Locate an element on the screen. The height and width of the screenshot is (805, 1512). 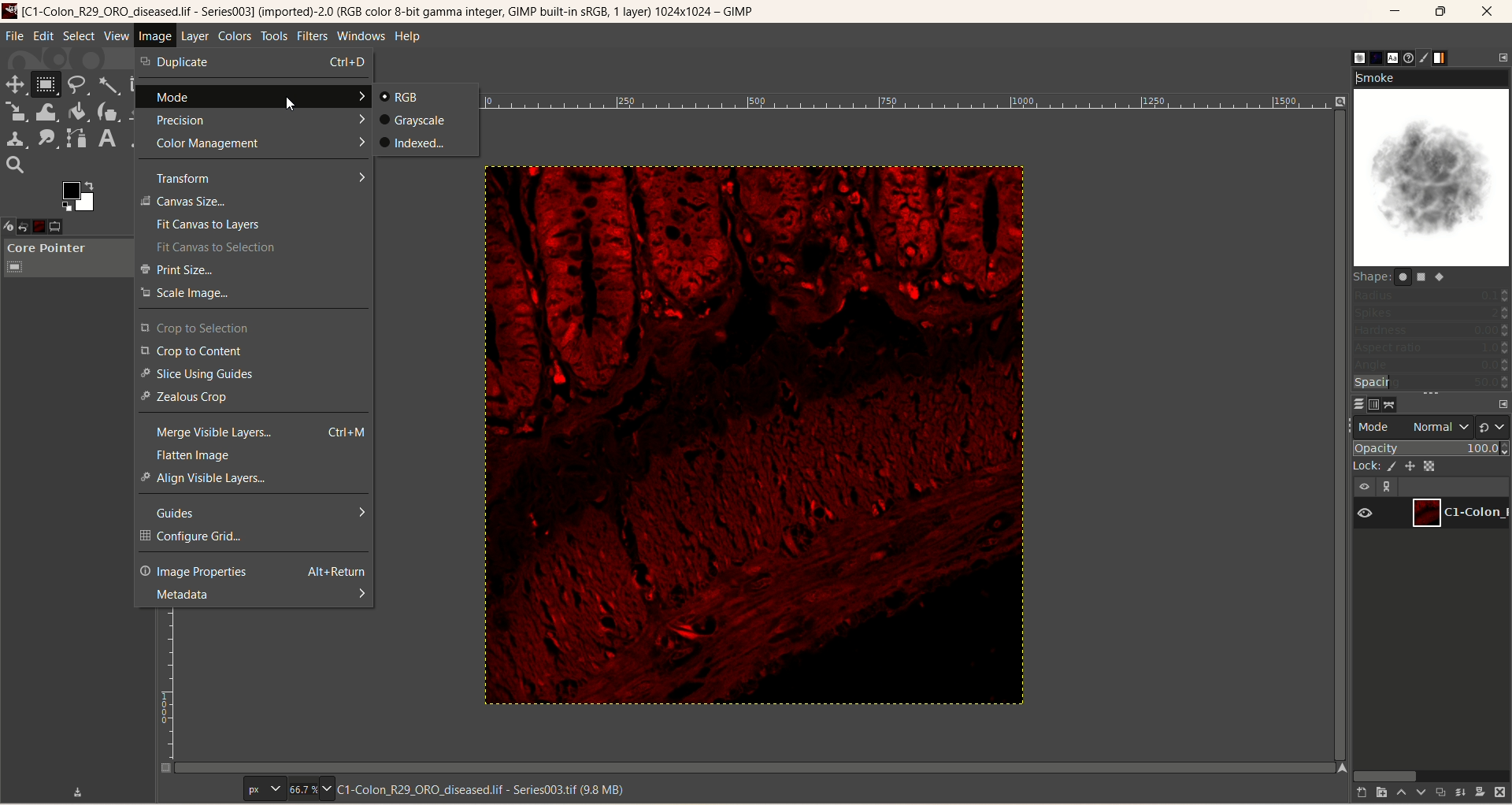
indexed is located at coordinates (415, 143).